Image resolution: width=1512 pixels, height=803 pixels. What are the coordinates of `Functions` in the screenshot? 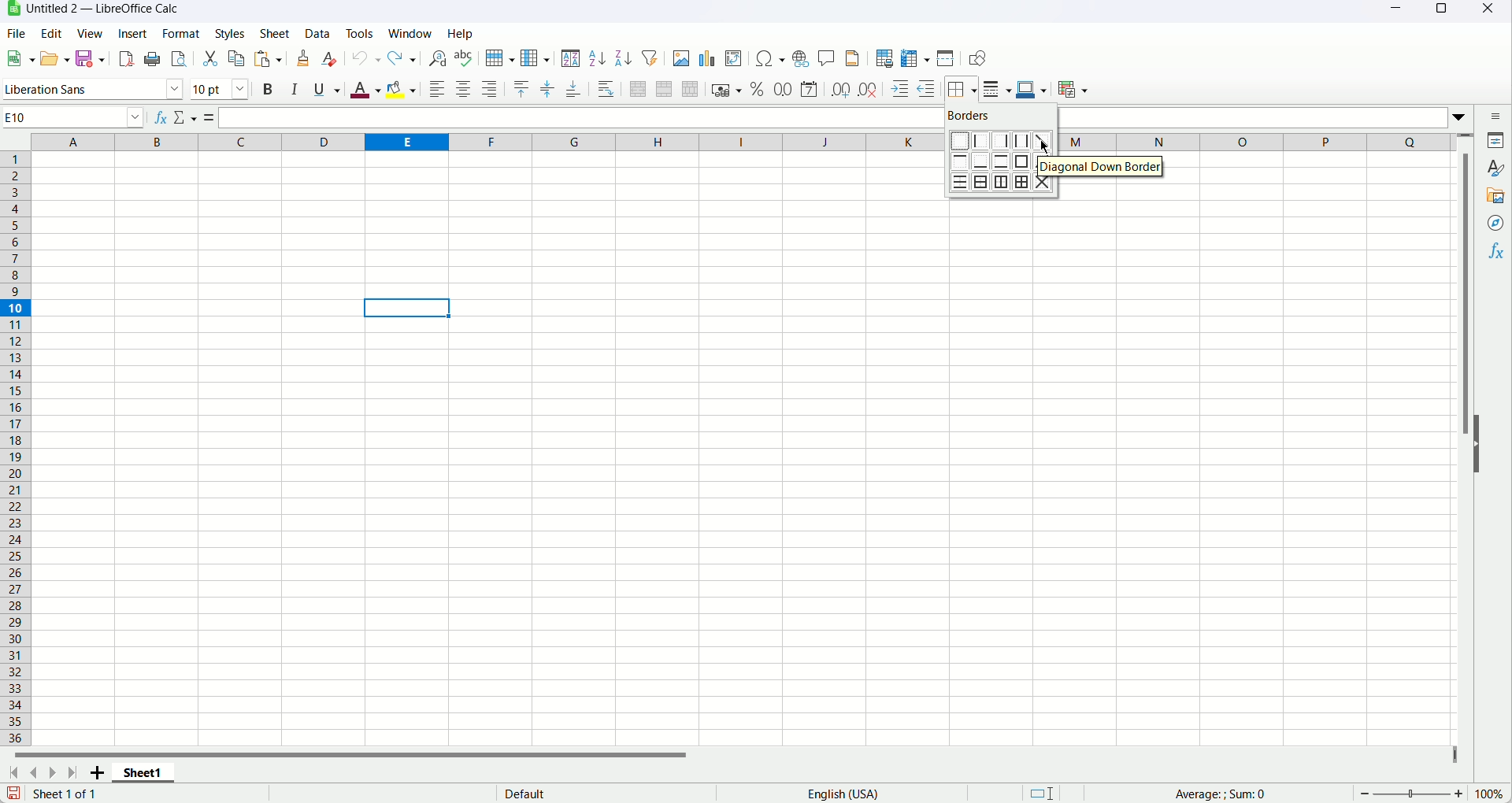 It's located at (1497, 252).